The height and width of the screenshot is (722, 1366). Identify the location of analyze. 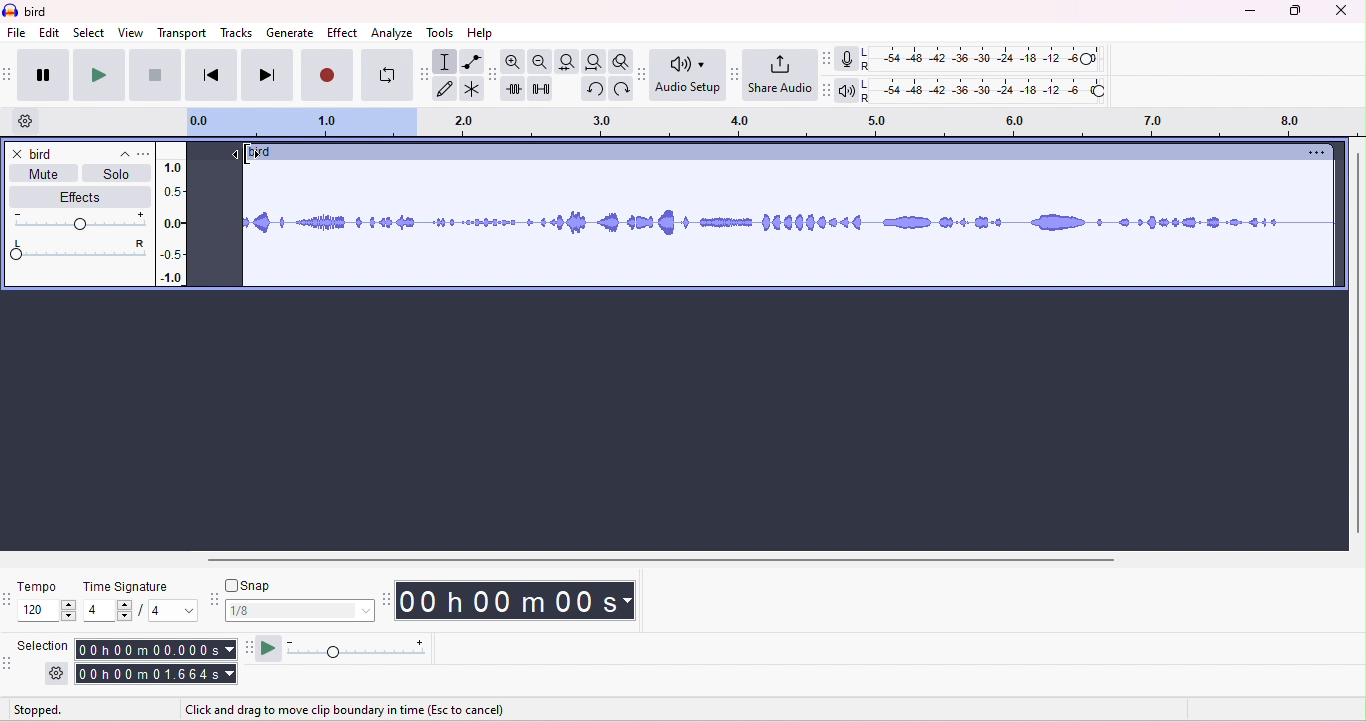
(394, 32).